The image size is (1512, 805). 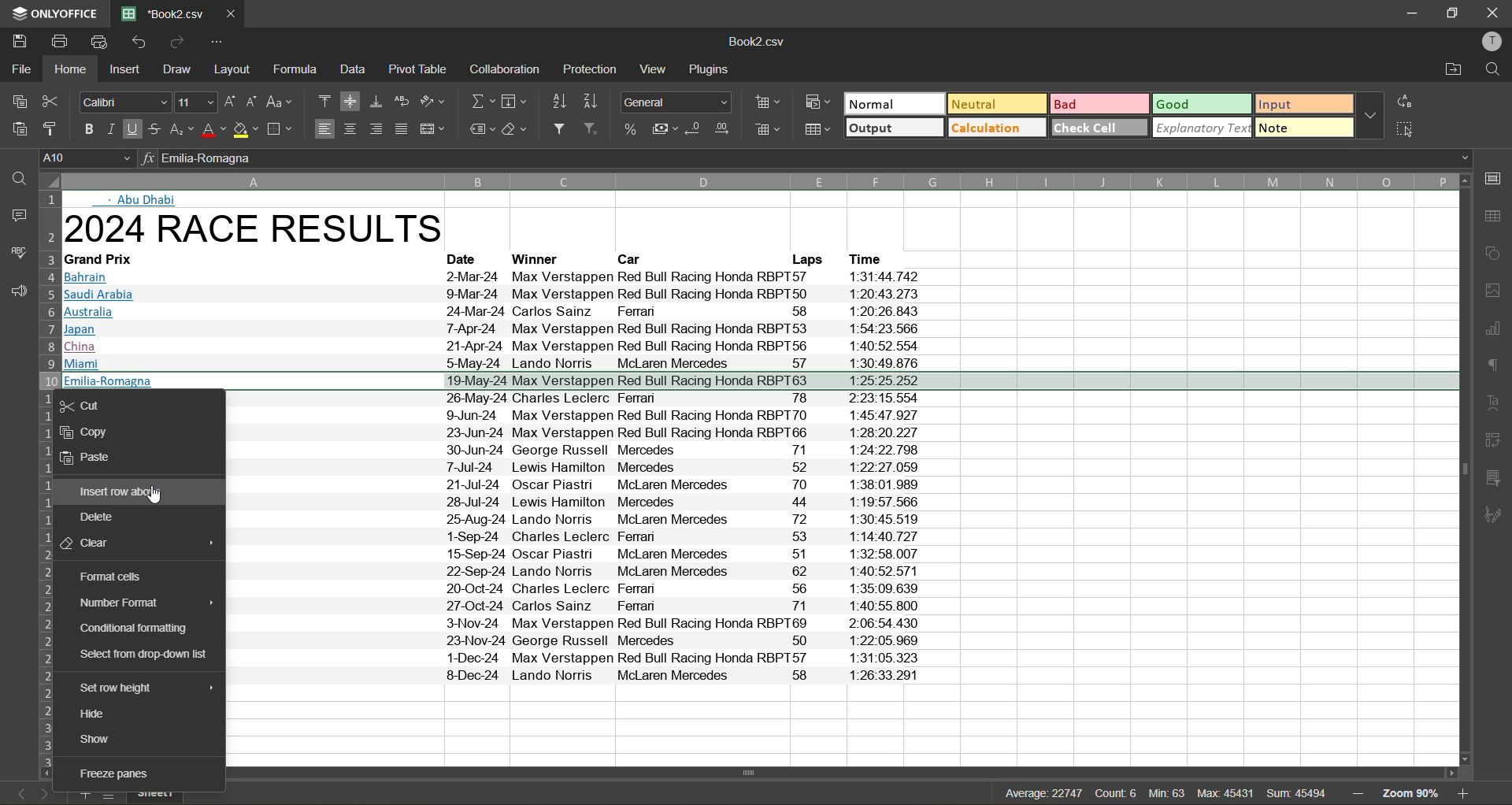 I want to click on increase decimal, so click(x=723, y=131).